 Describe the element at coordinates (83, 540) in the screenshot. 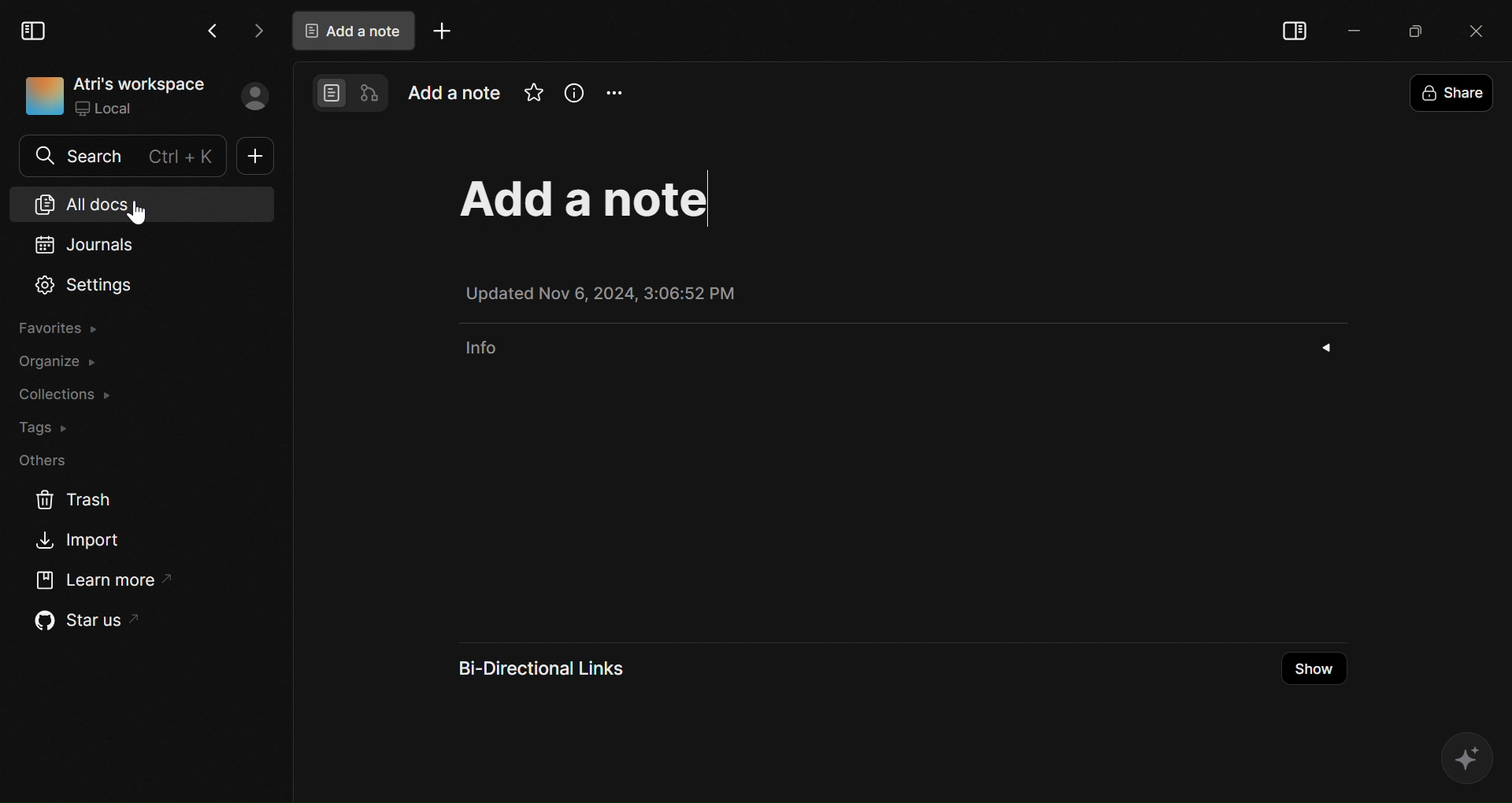

I see `Import` at that location.